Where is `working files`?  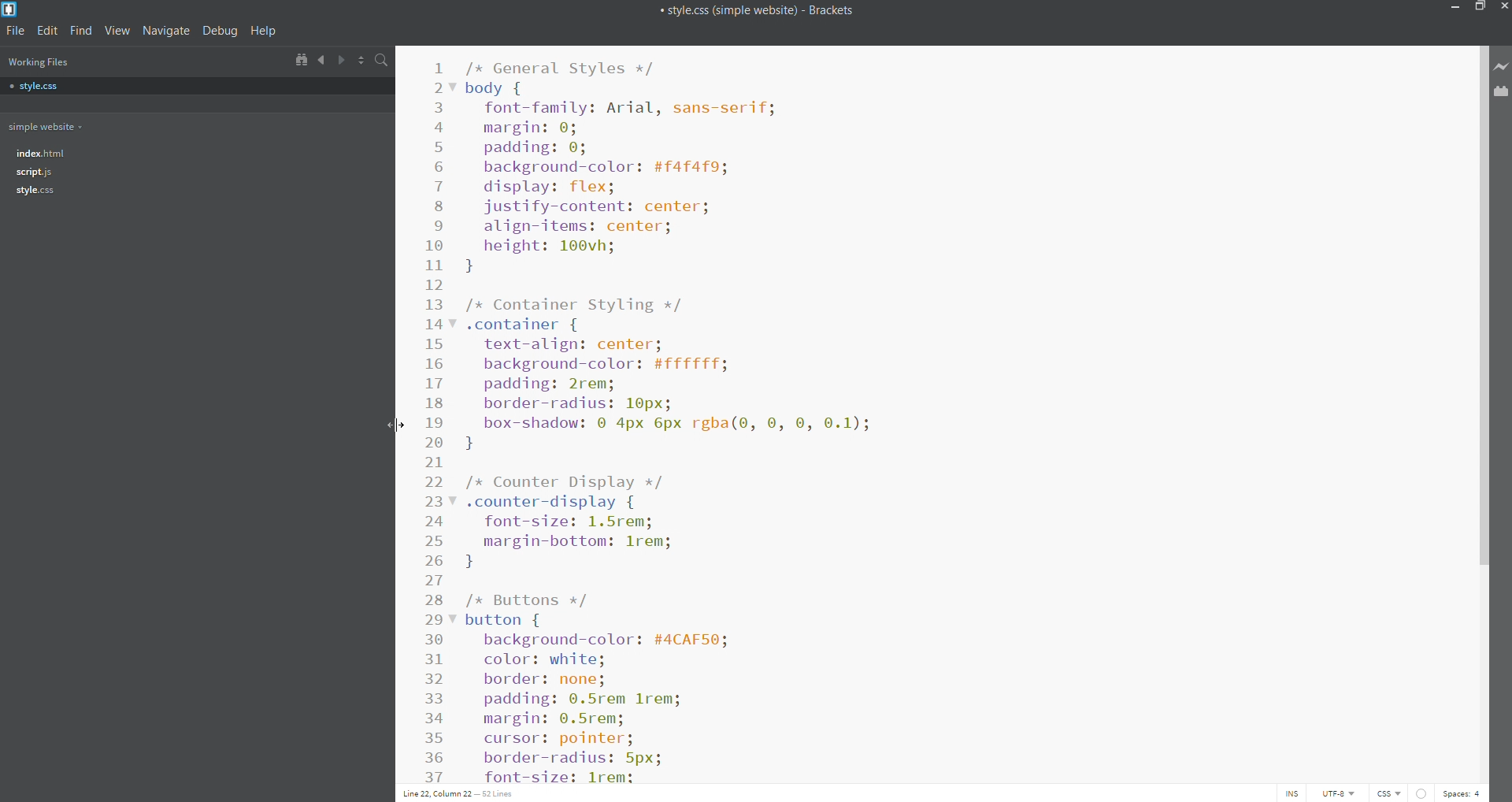
working files is located at coordinates (37, 61).